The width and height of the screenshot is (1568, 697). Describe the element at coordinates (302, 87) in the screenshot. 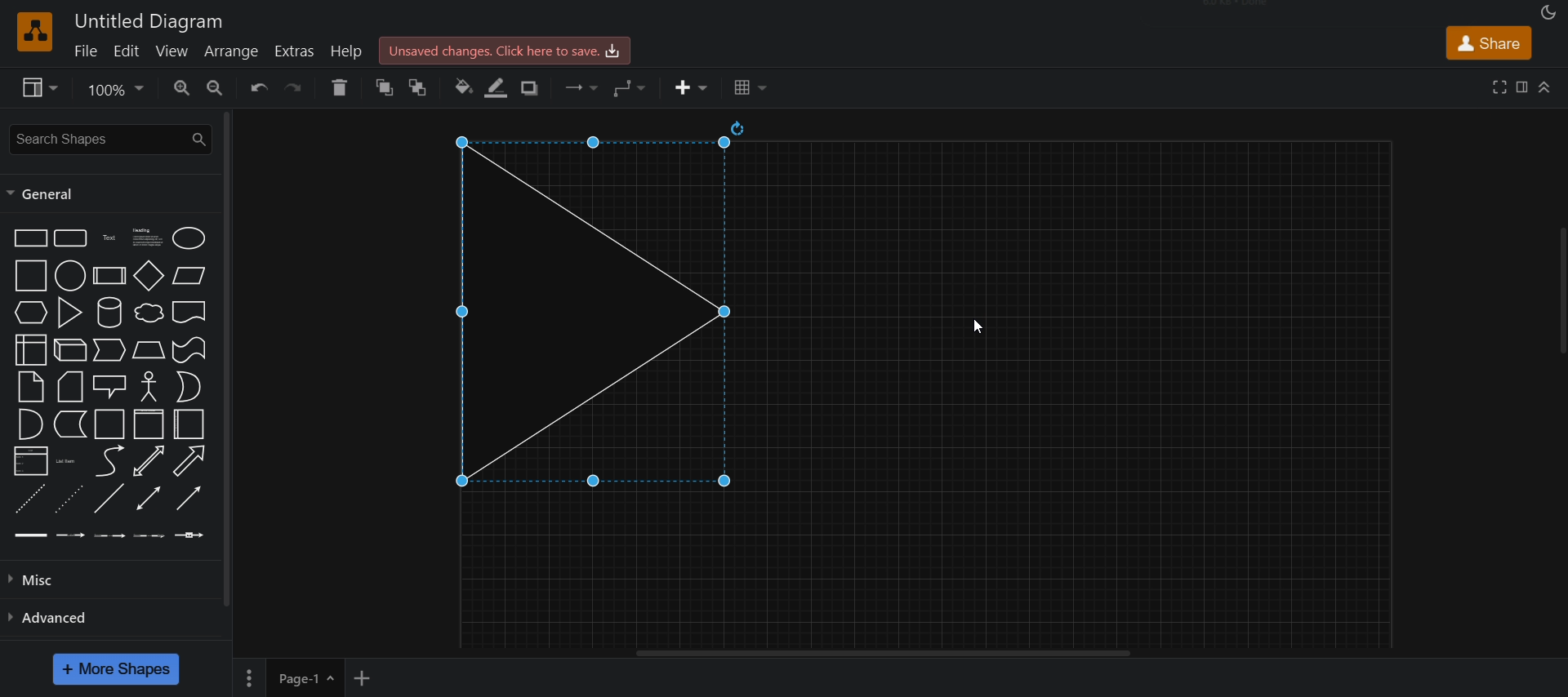

I see `redo` at that location.